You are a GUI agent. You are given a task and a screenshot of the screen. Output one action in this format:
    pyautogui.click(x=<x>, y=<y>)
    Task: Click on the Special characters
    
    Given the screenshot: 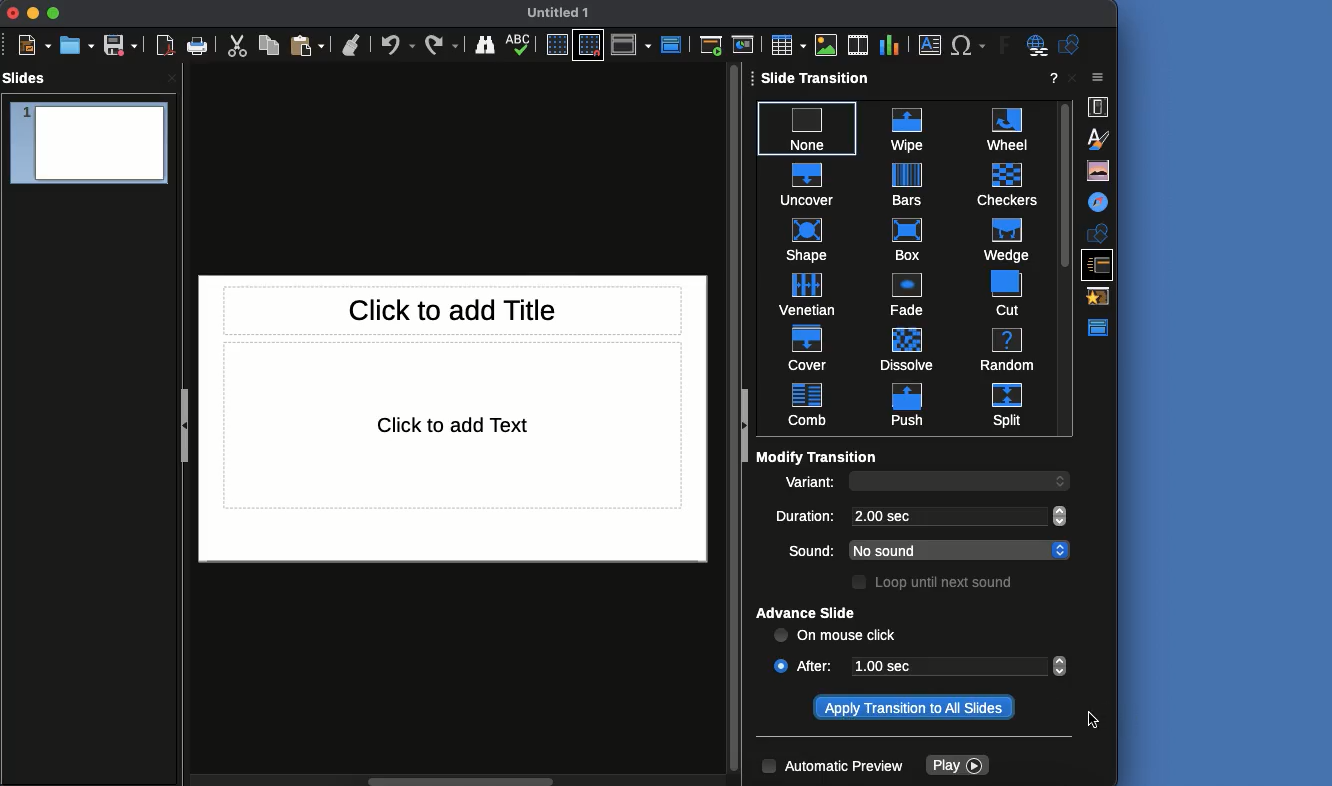 What is the action you would take?
    pyautogui.click(x=968, y=44)
    